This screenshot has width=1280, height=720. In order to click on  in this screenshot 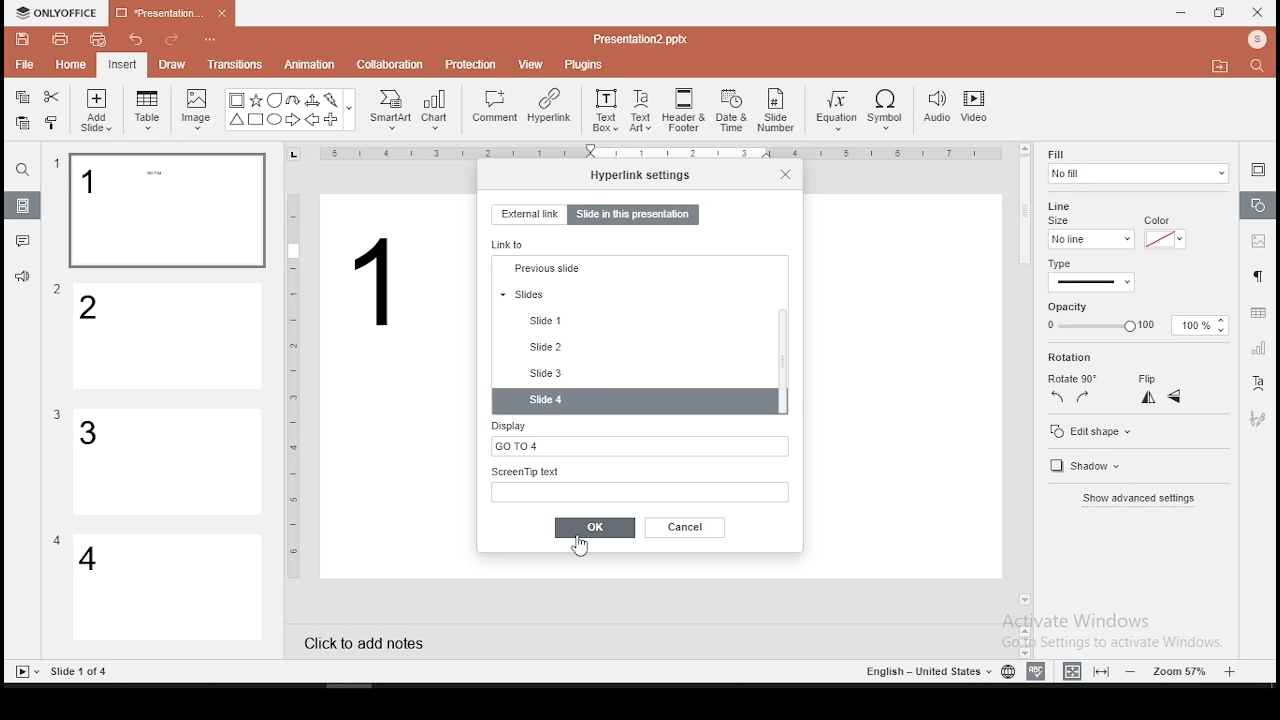, I will do `click(57, 540)`.